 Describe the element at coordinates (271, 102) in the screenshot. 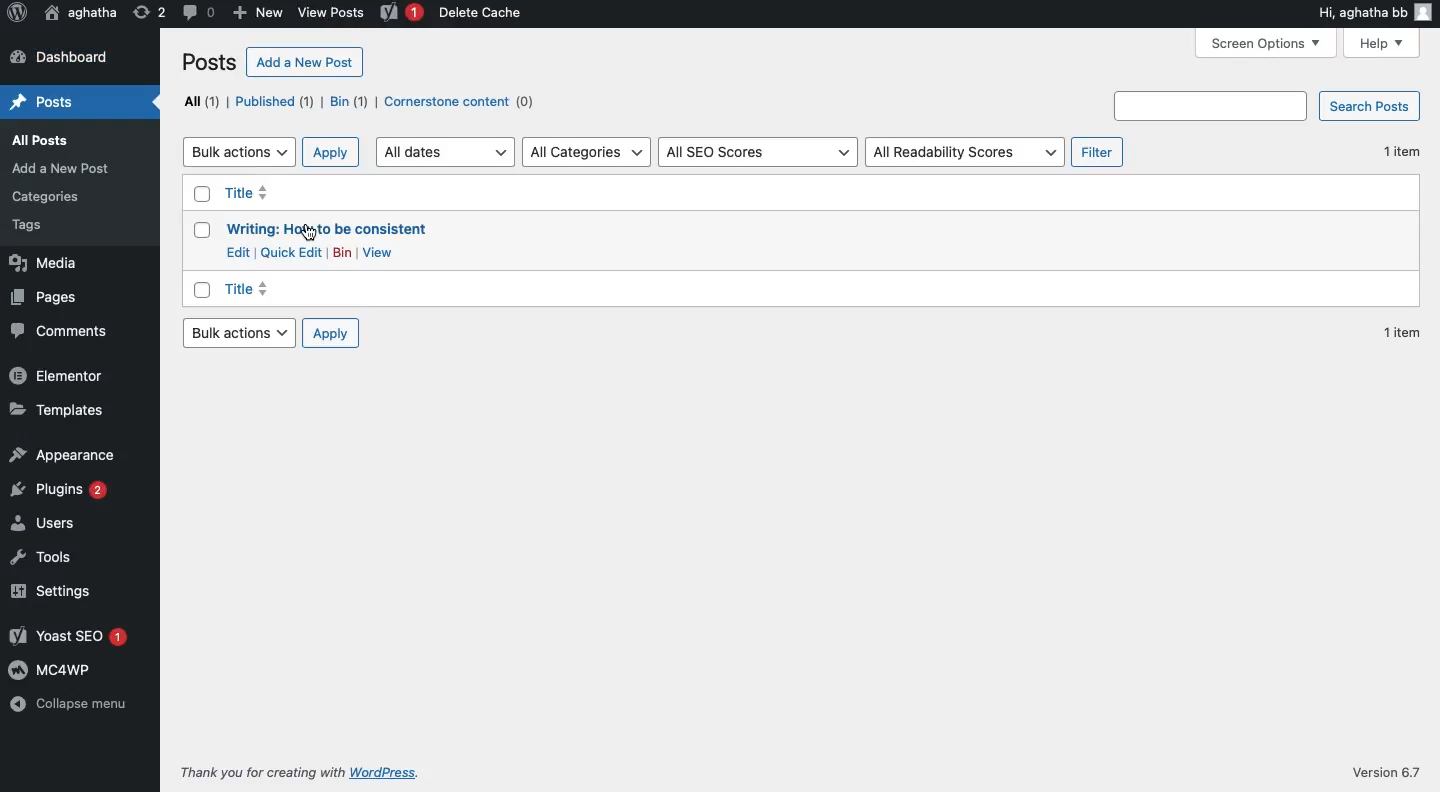

I see `Published (1)` at that location.